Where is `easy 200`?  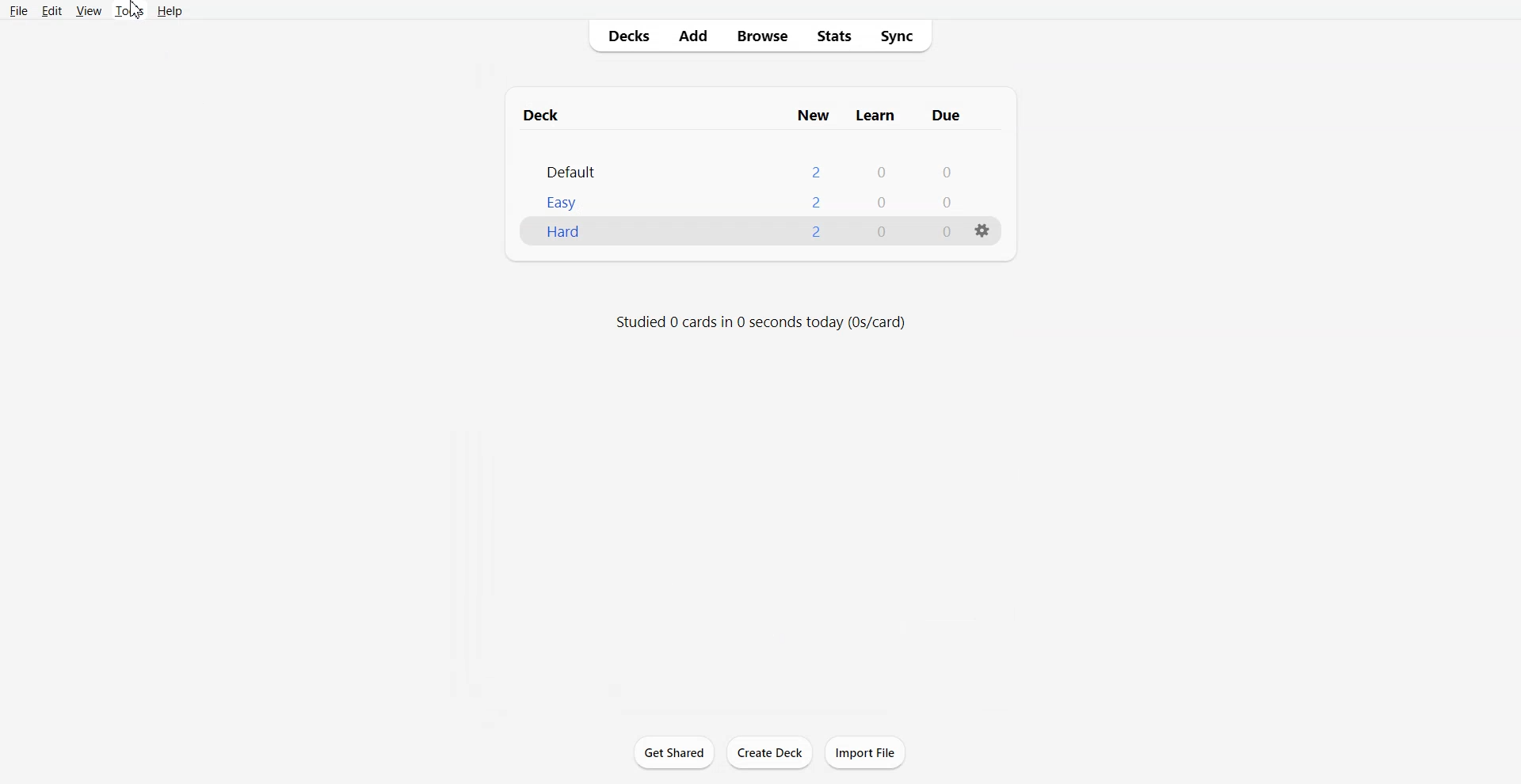
easy 200 is located at coordinates (738, 203).